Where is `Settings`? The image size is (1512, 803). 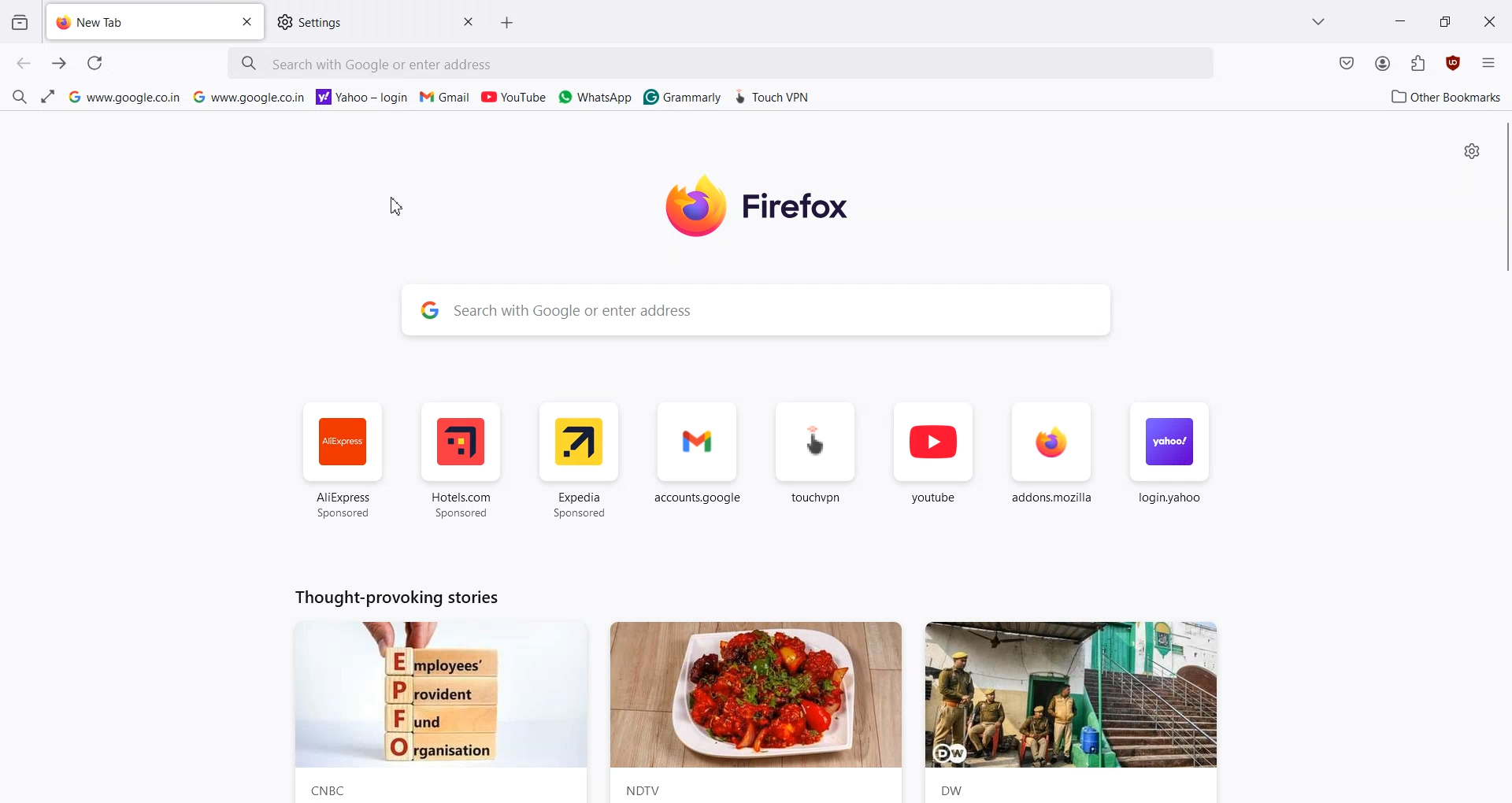 Settings is located at coordinates (359, 23).